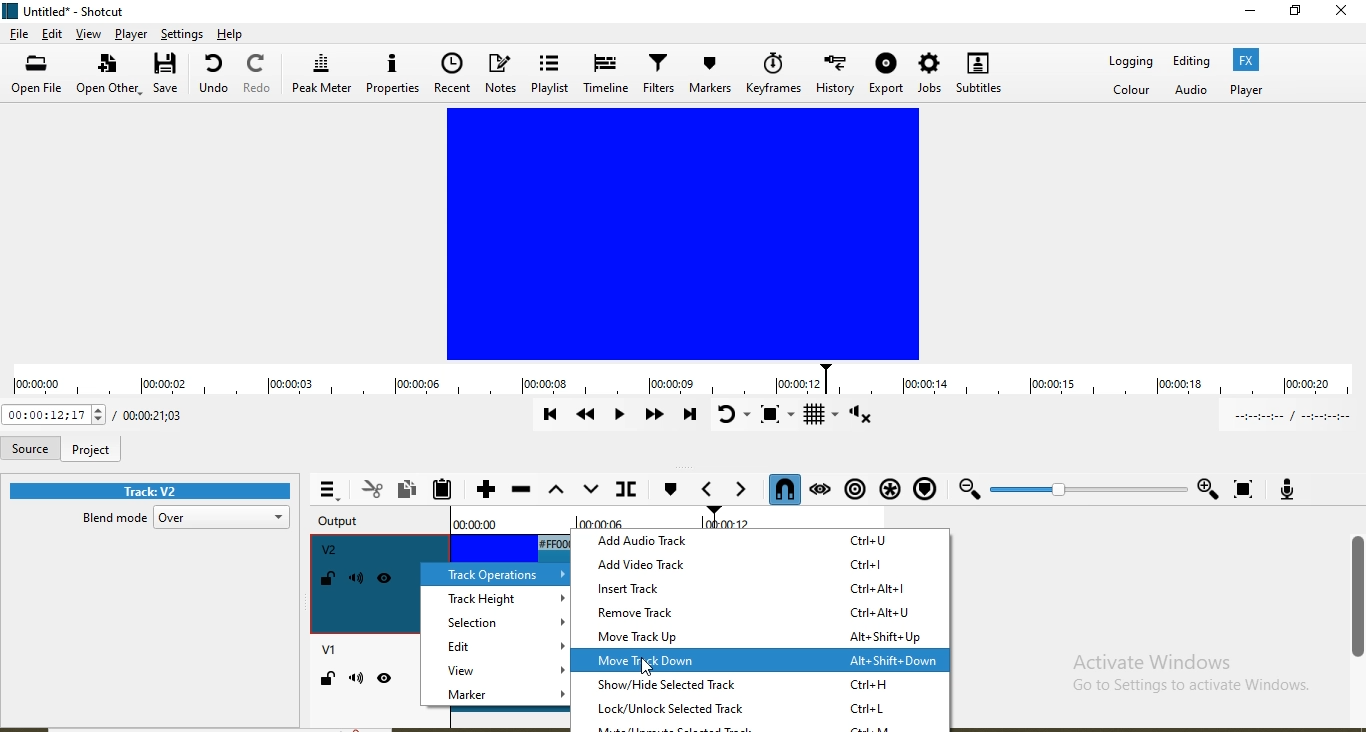 Image resolution: width=1366 pixels, height=732 pixels. Describe the element at coordinates (1357, 599) in the screenshot. I see `scroll bar` at that location.